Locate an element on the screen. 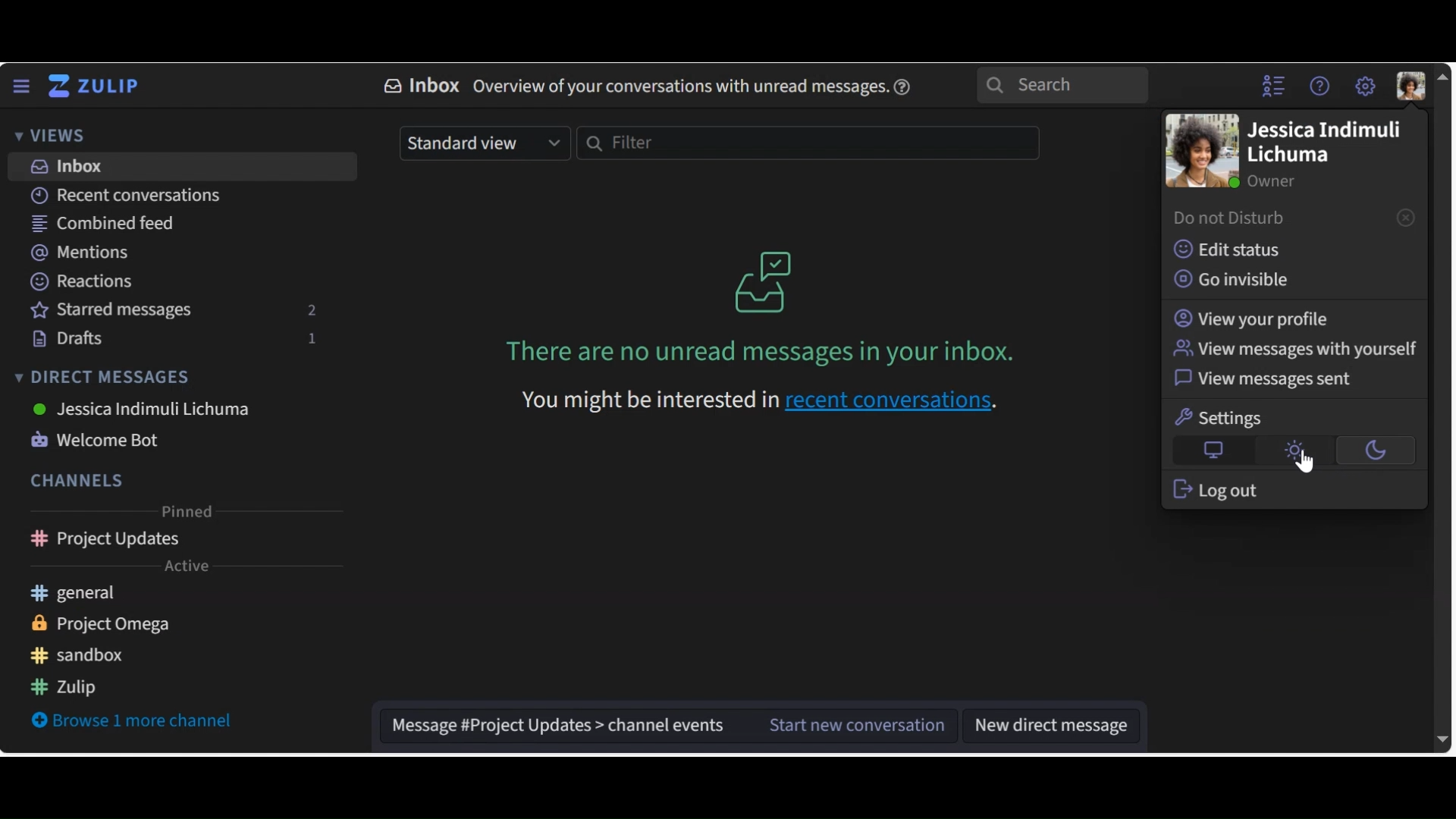 This screenshot has height=819, width=1456. Hide user list is located at coordinates (1275, 87).